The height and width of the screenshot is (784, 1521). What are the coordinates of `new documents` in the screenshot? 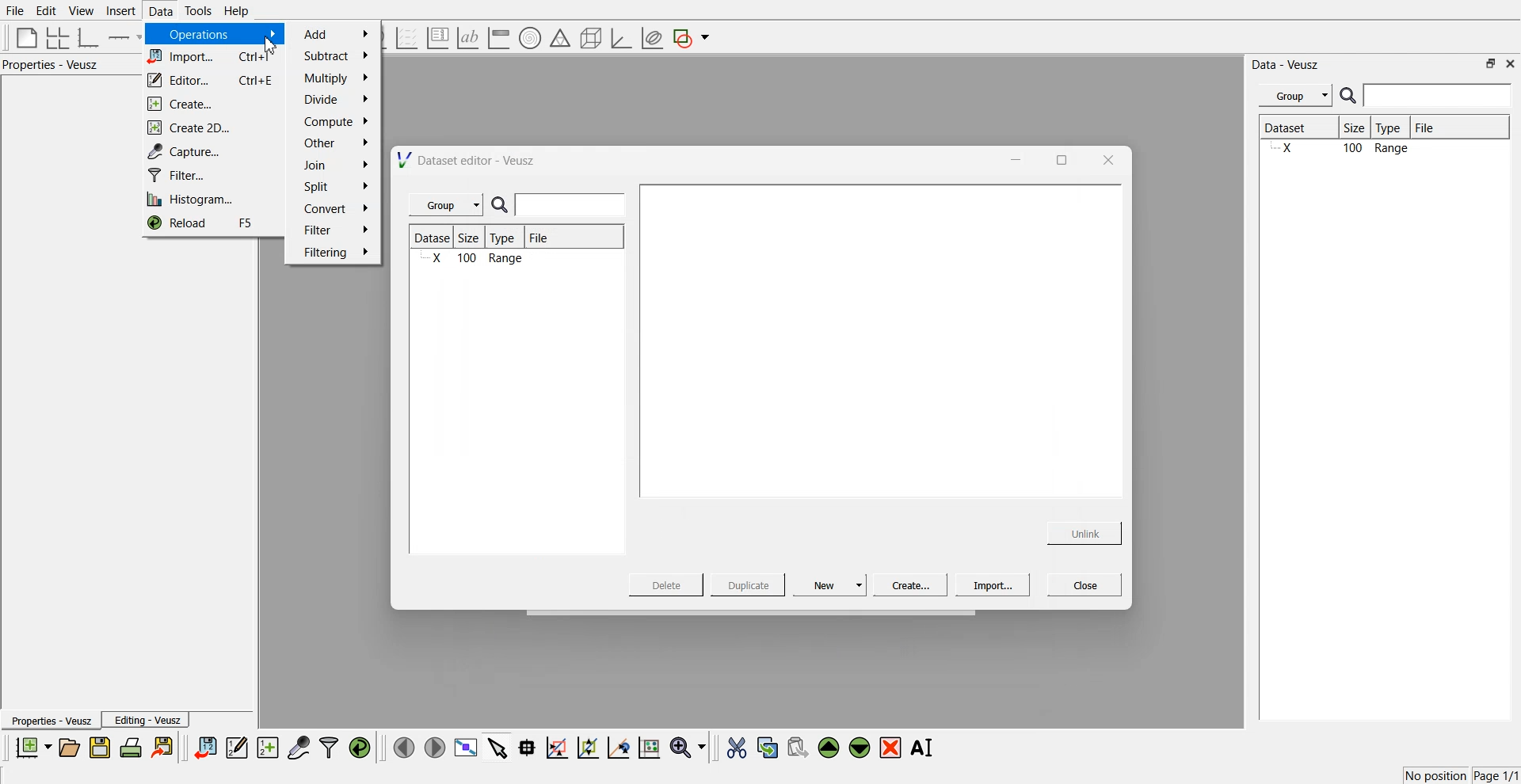 It's located at (32, 747).